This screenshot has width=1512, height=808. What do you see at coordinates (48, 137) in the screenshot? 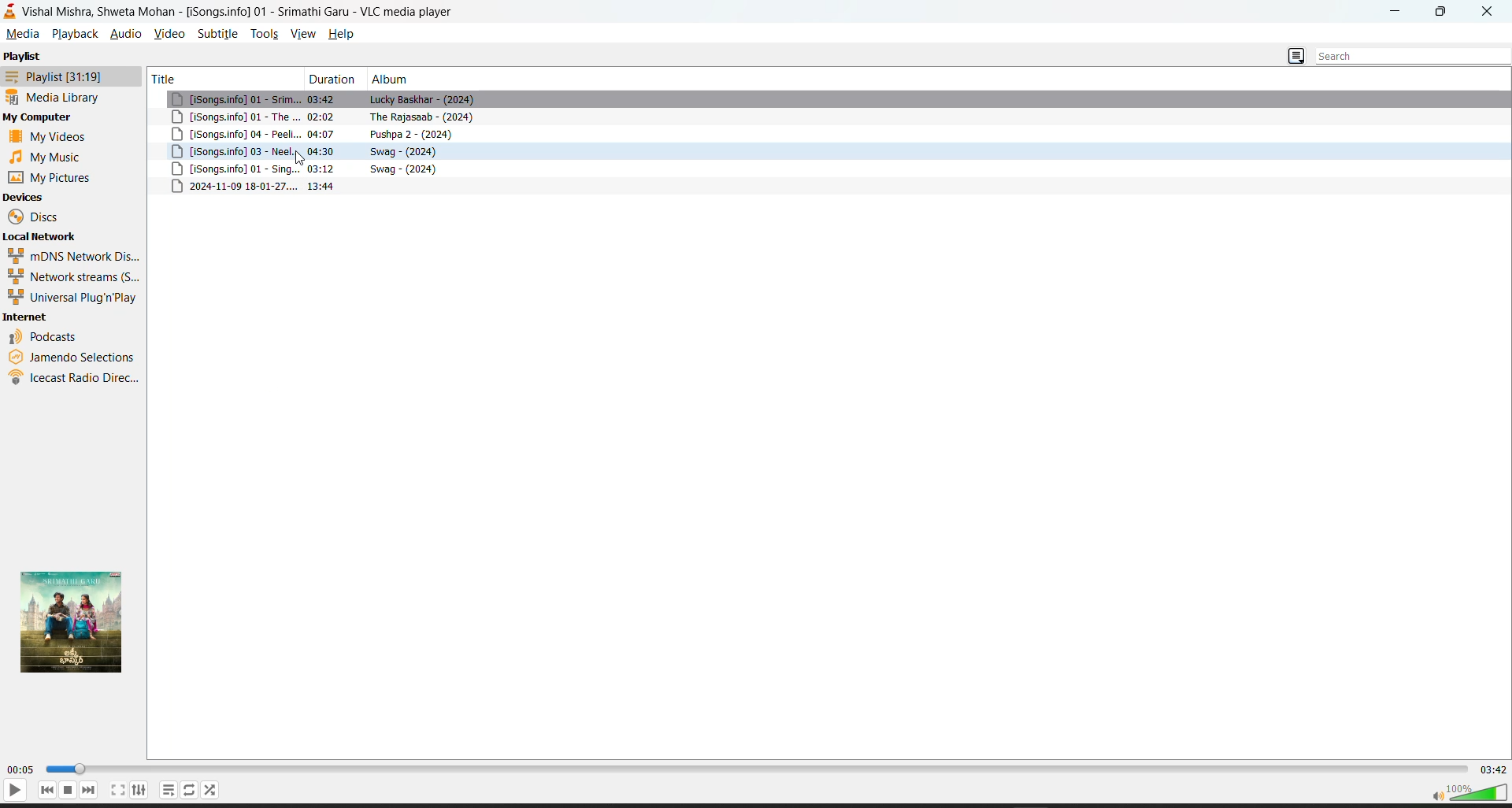
I see `videos` at bounding box center [48, 137].